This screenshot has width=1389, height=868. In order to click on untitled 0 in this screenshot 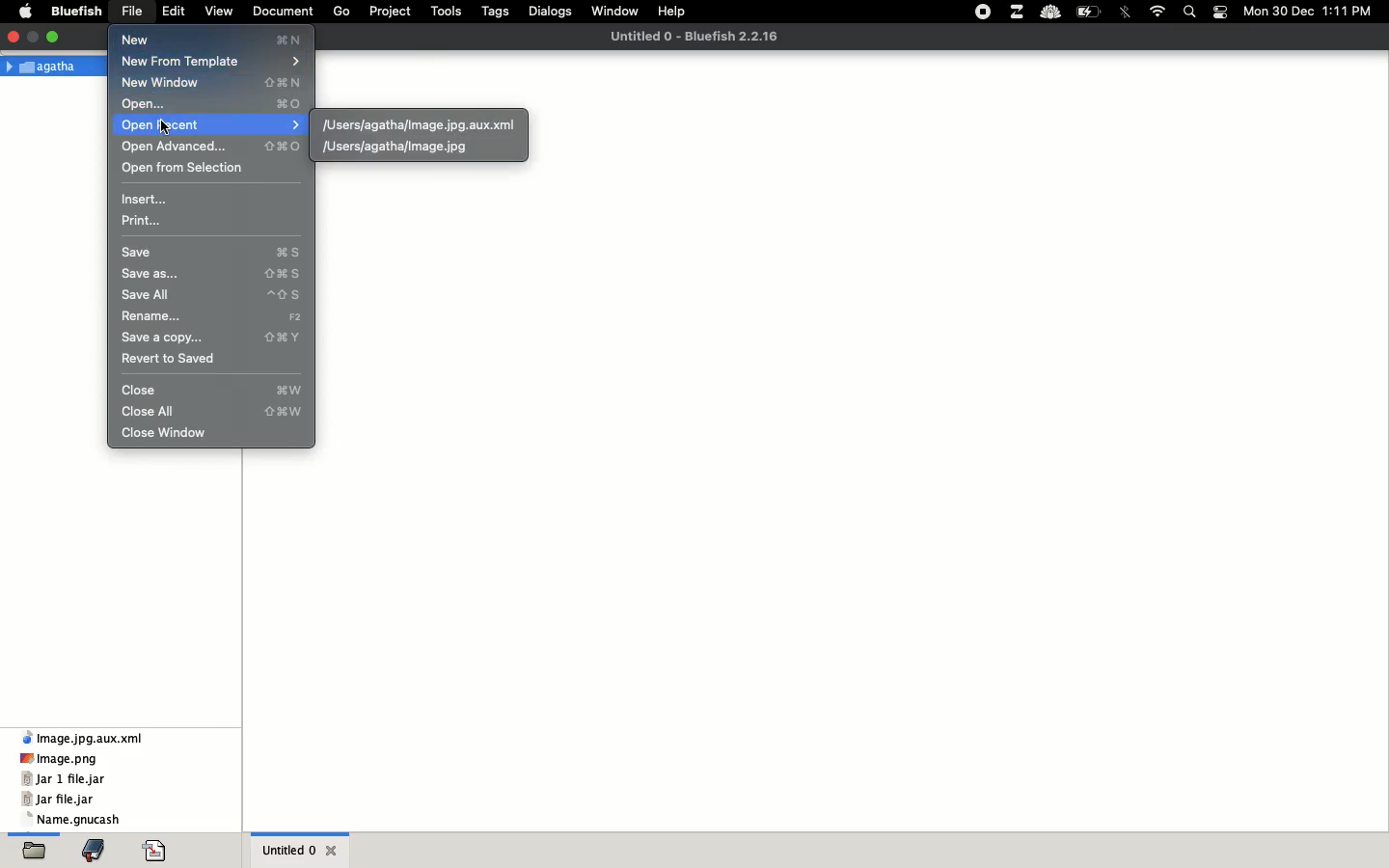, I will do `click(292, 852)`.